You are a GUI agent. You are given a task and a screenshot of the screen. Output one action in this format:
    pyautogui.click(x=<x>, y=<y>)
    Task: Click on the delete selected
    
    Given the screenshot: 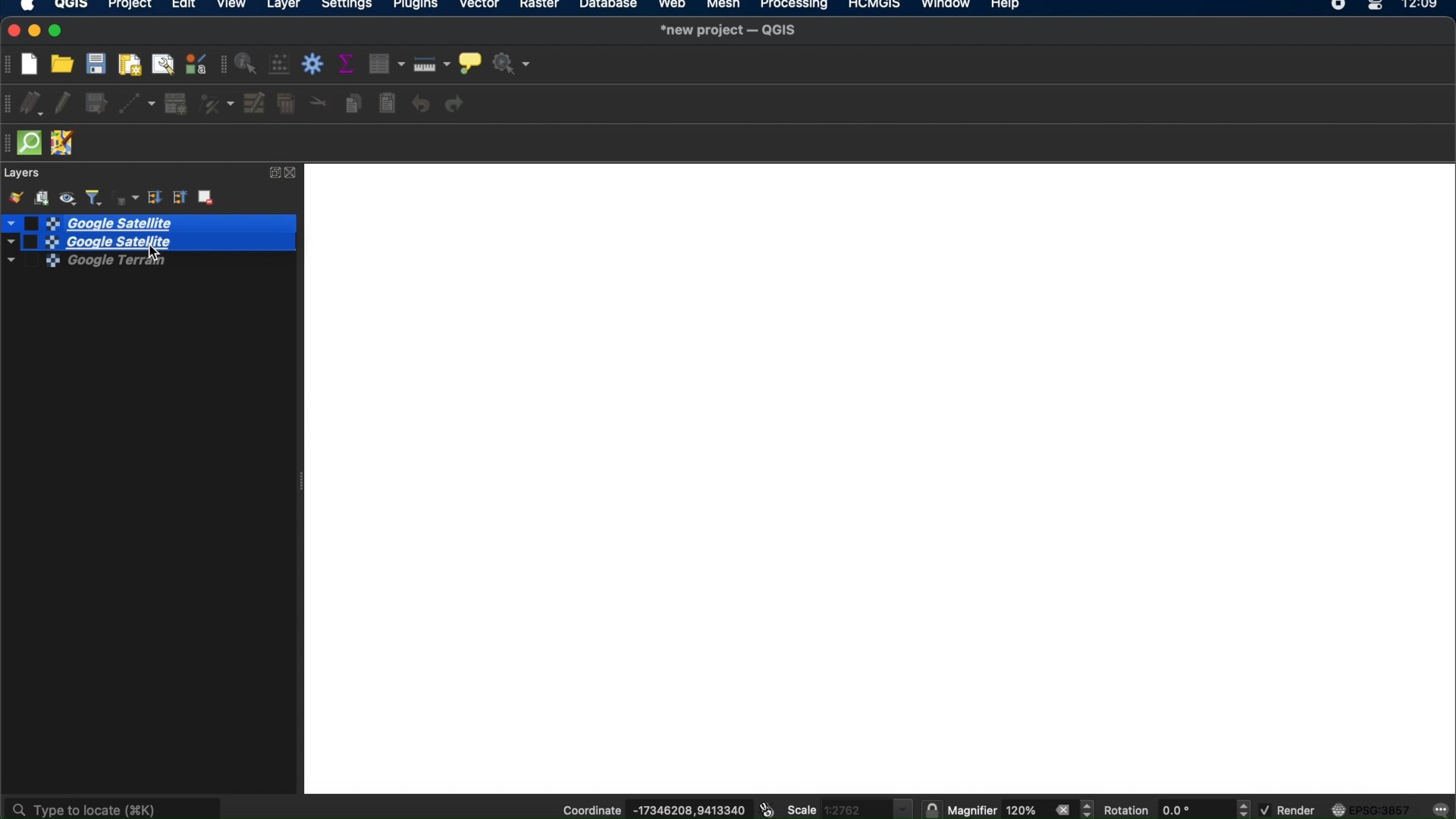 What is the action you would take?
    pyautogui.click(x=286, y=105)
    